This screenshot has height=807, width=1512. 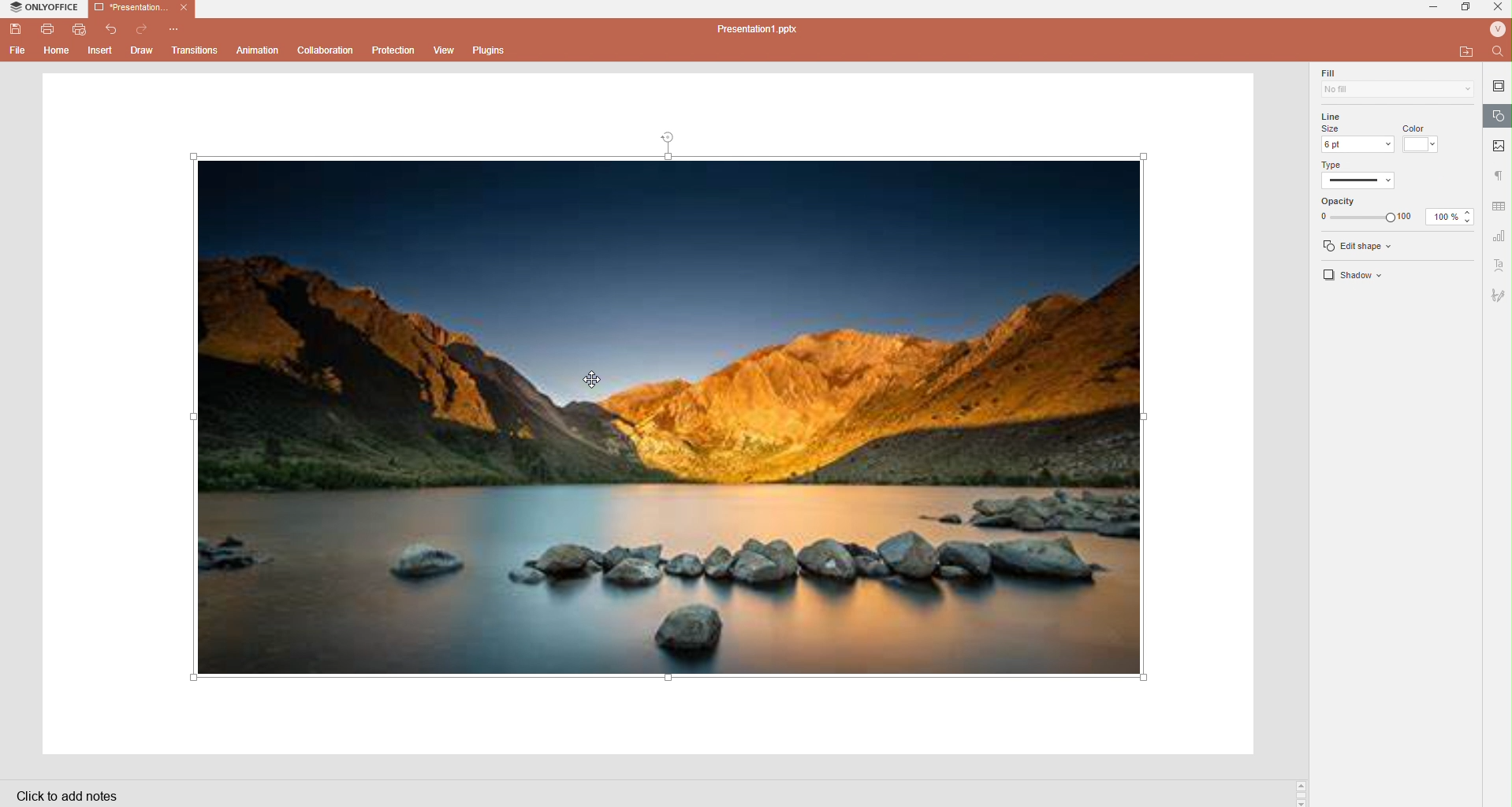 I want to click on Presentation1.pptx, so click(x=760, y=29).